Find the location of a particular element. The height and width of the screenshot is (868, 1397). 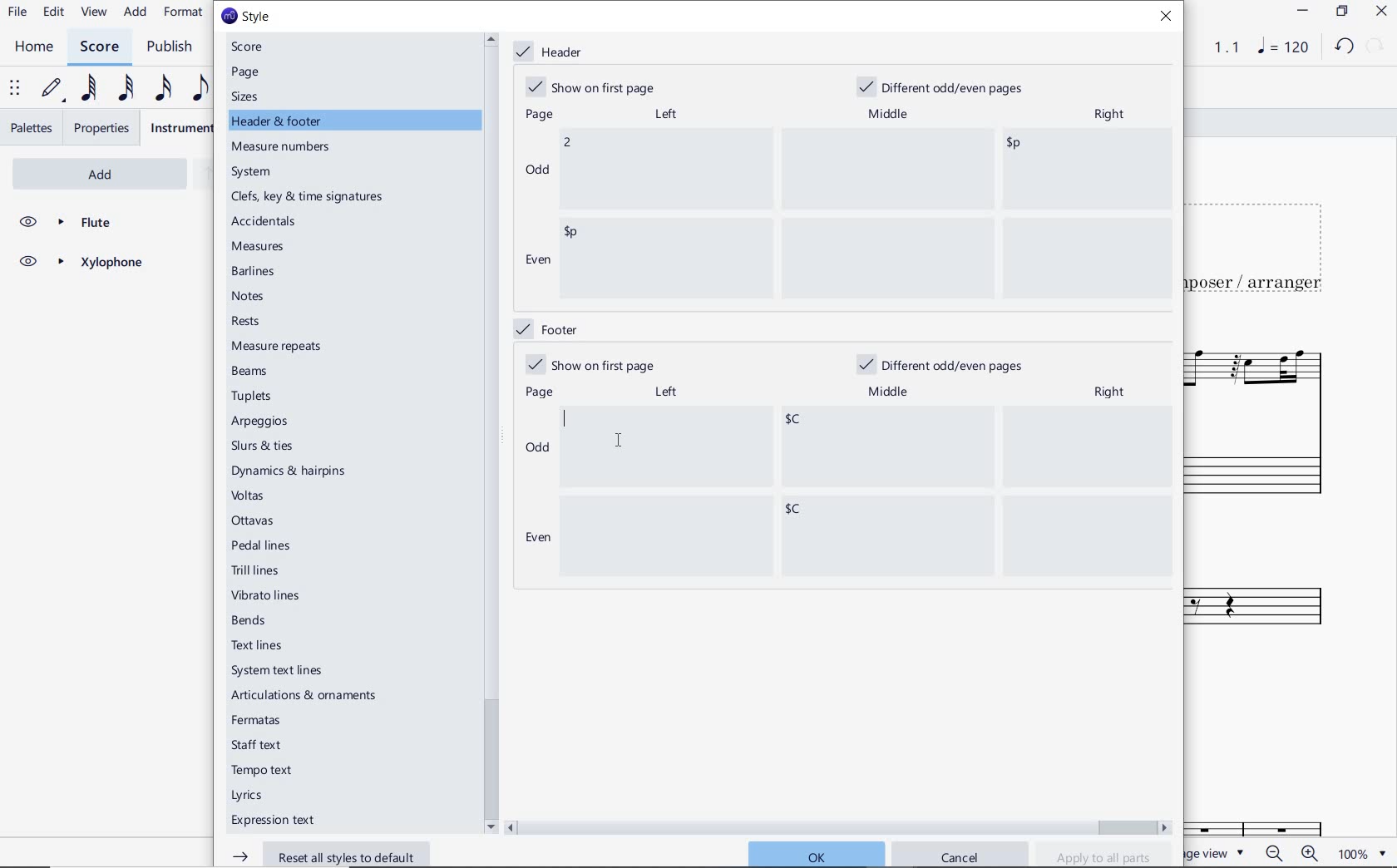

cursor is located at coordinates (615, 440).